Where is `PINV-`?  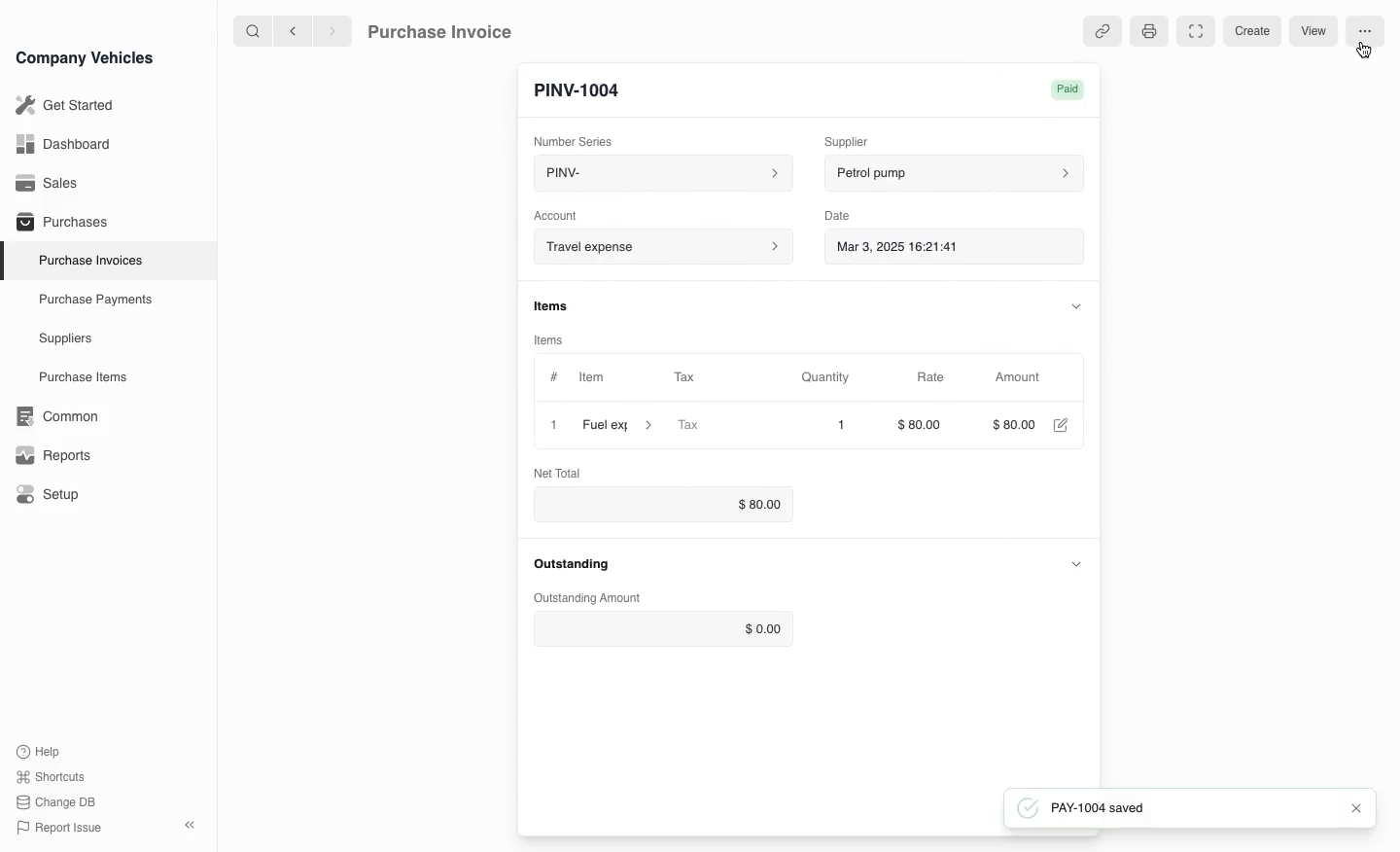
PINV- is located at coordinates (664, 170).